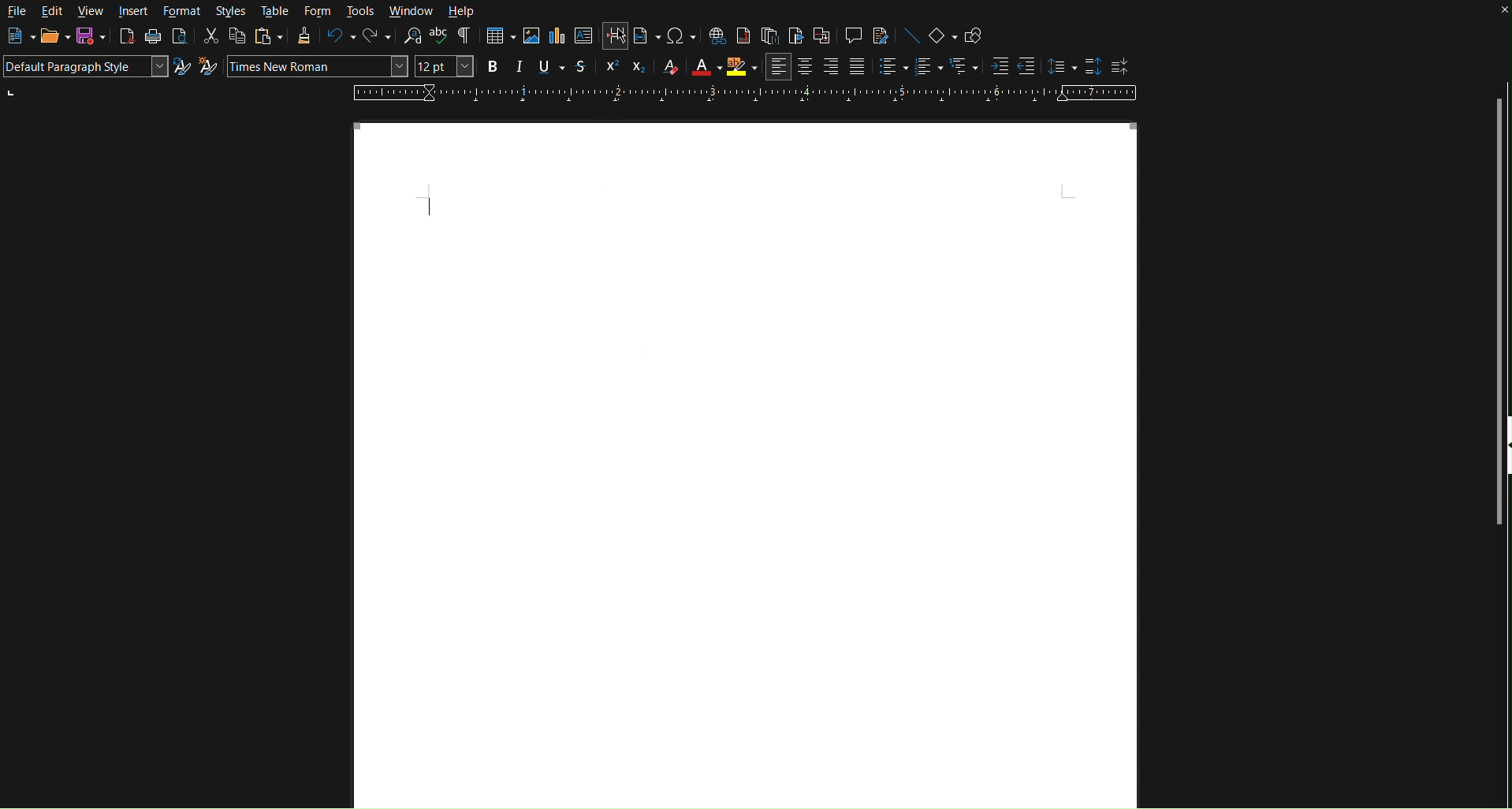 The image size is (1512, 809). Describe the element at coordinates (743, 36) in the screenshot. I see `Insert Footnote` at that location.